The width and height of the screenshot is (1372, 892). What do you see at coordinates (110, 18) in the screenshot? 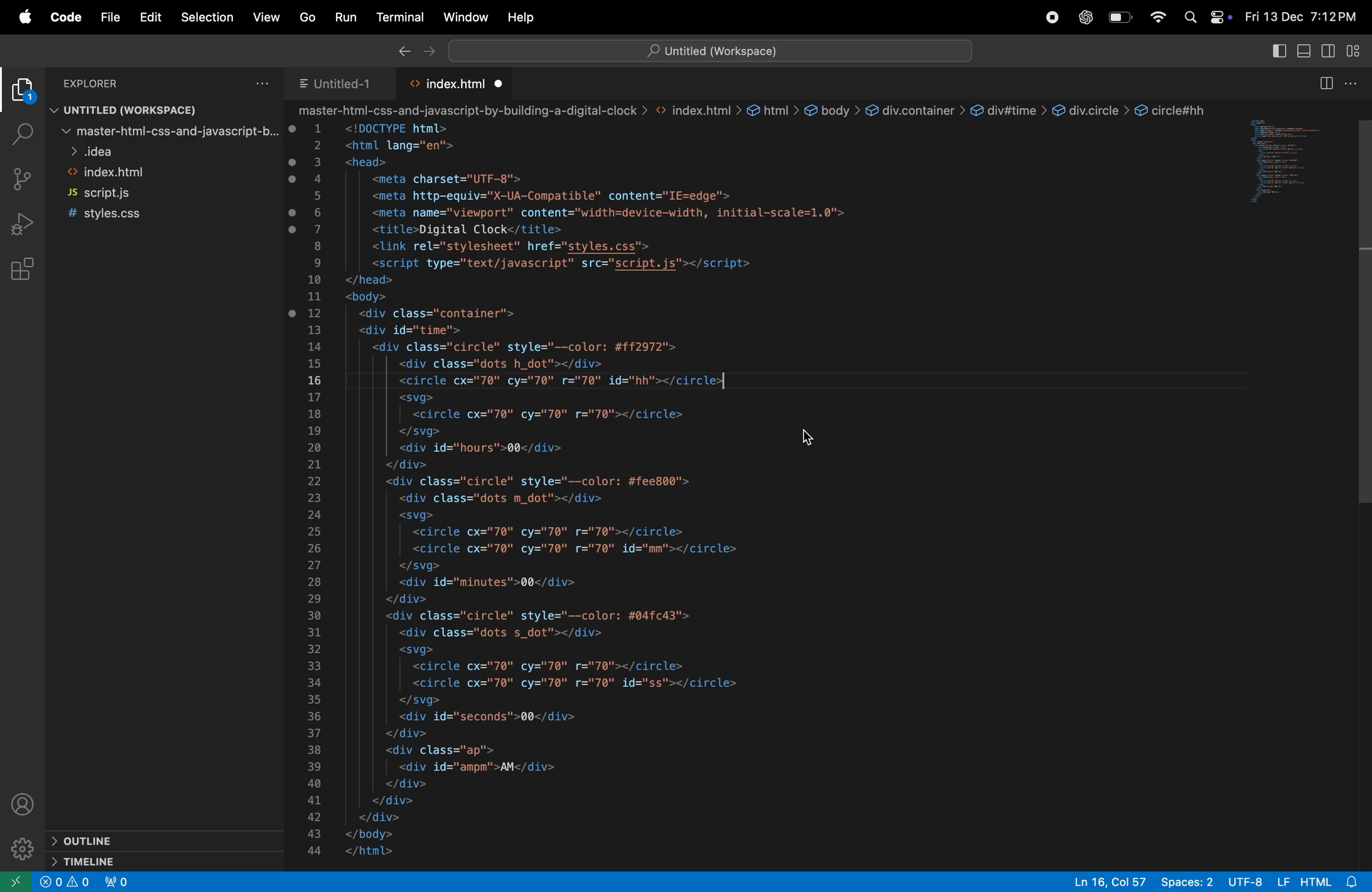
I see `file` at bounding box center [110, 18].